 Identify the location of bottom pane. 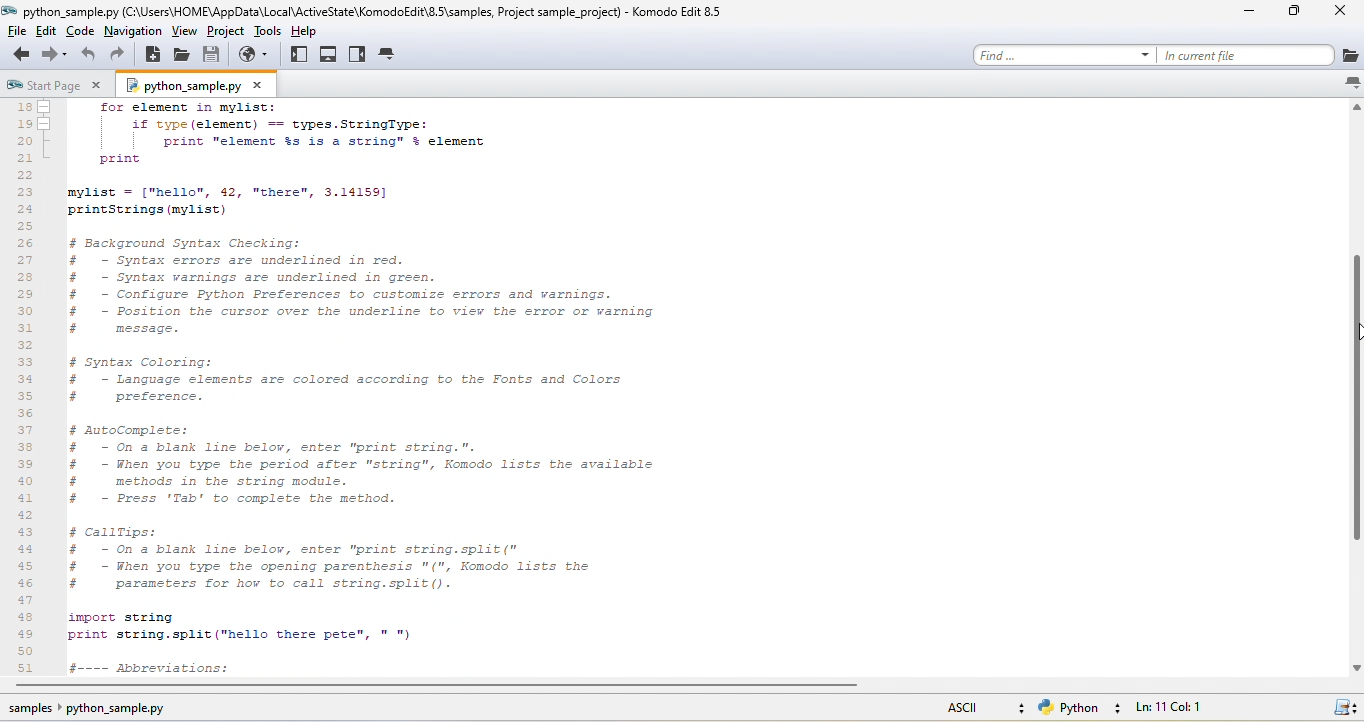
(329, 55).